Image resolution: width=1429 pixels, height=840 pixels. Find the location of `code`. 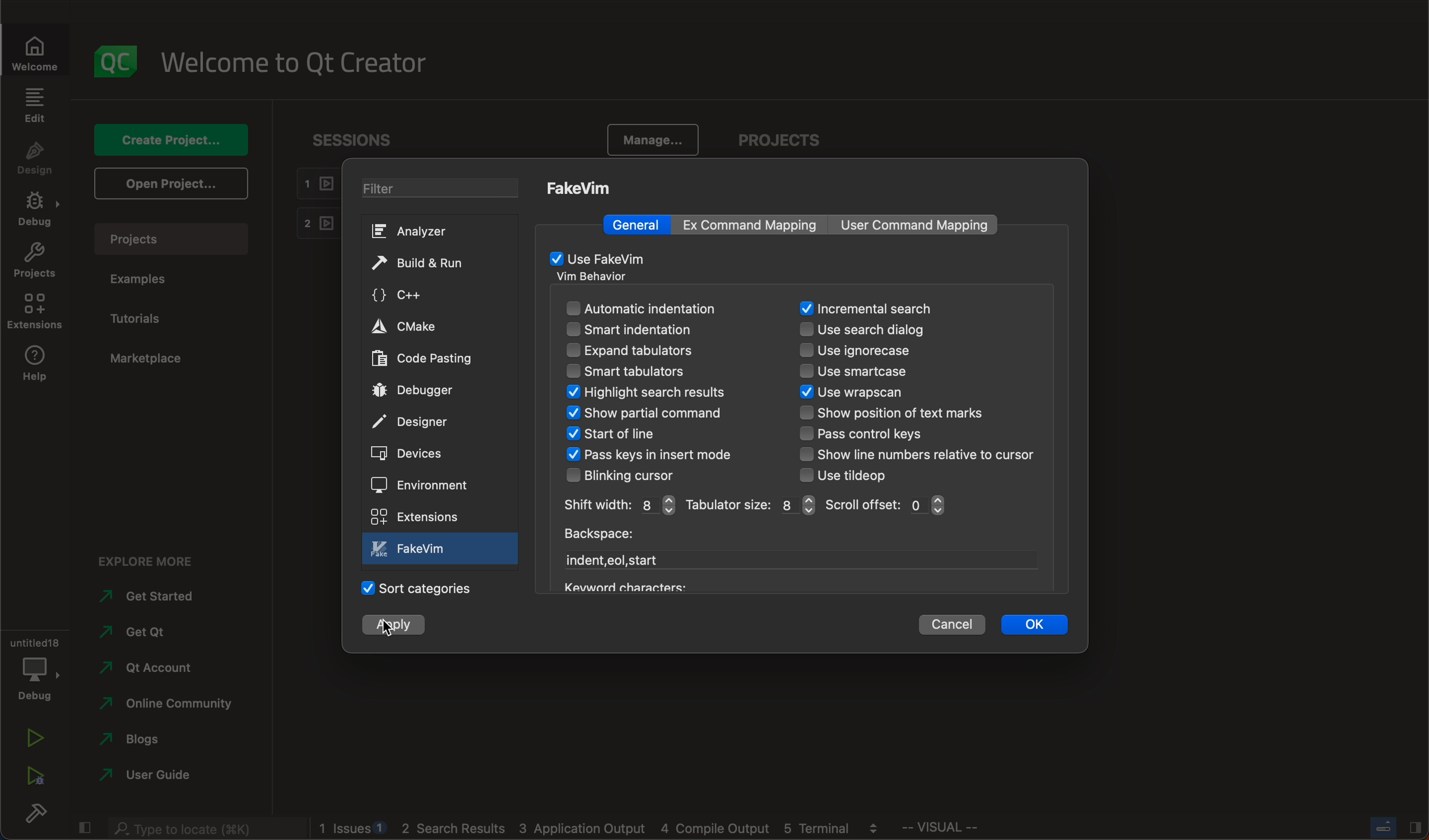

code is located at coordinates (425, 359).